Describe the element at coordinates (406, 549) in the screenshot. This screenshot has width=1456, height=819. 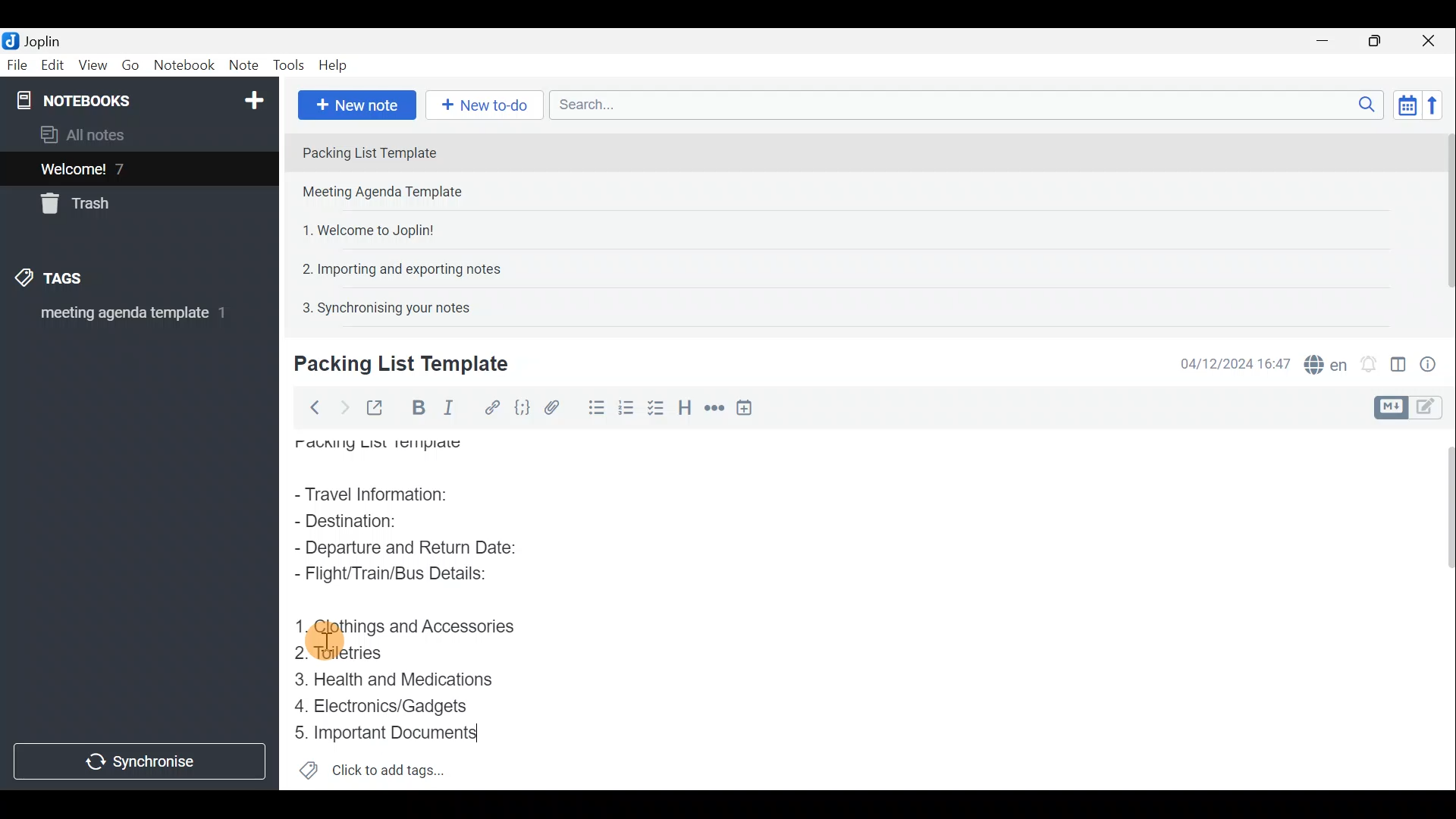
I see `Departure and Return Date:` at that location.